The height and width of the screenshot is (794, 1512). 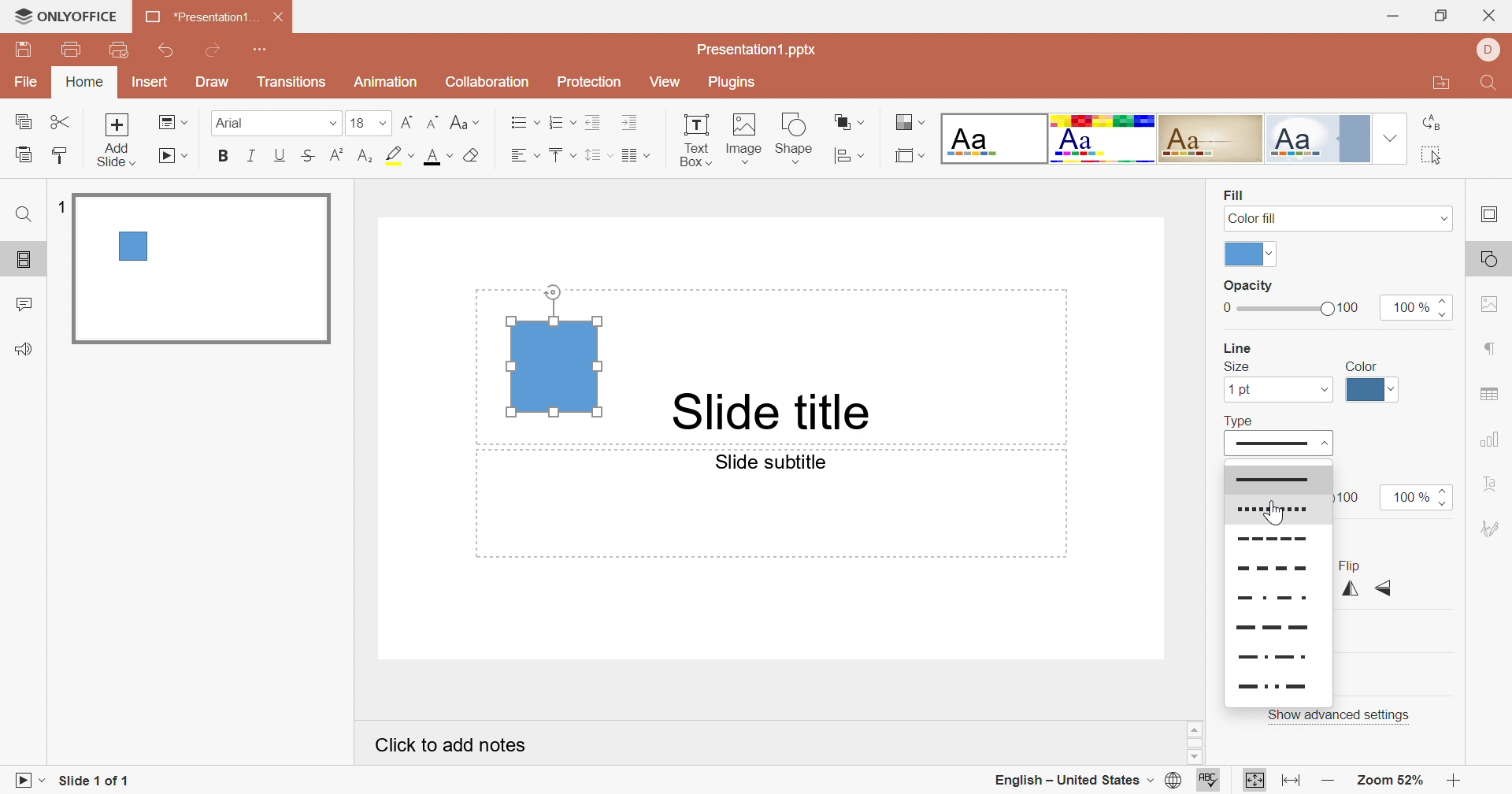 I want to click on , so click(x=1224, y=308).